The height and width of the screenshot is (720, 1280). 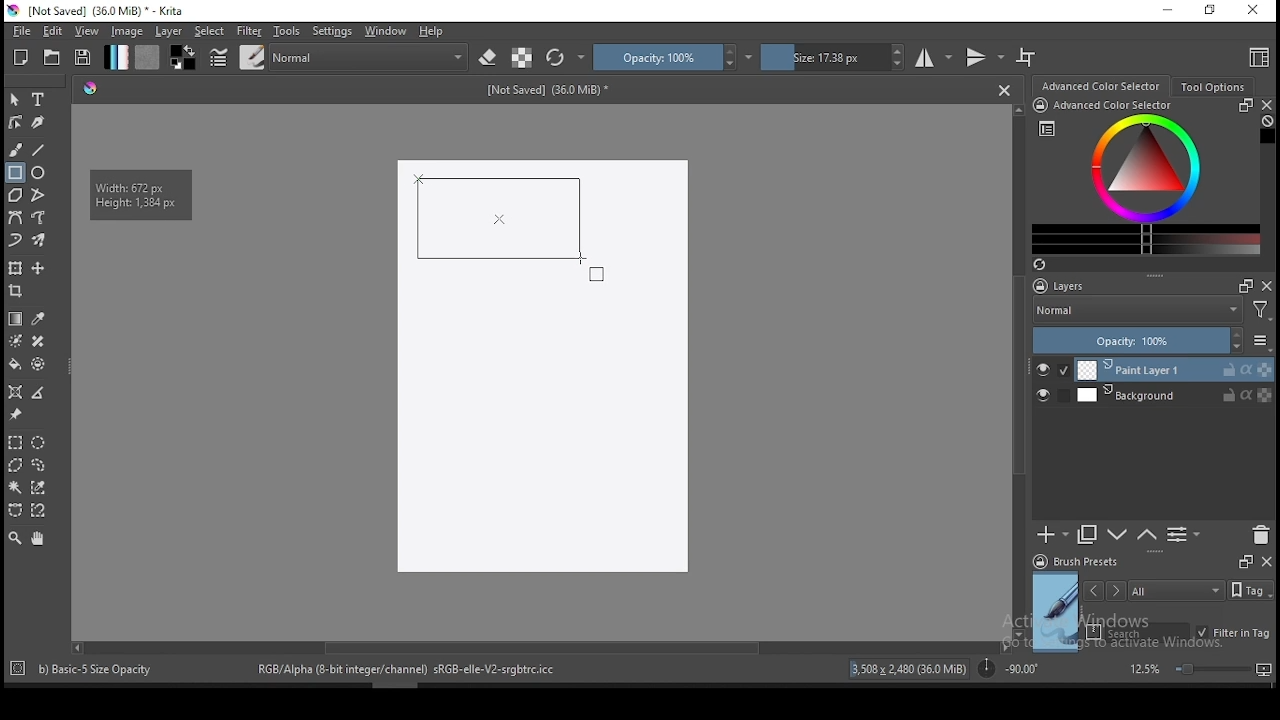 What do you see at coordinates (1200, 668) in the screenshot?
I see `zoom level` at bounding box center [1200, 668].